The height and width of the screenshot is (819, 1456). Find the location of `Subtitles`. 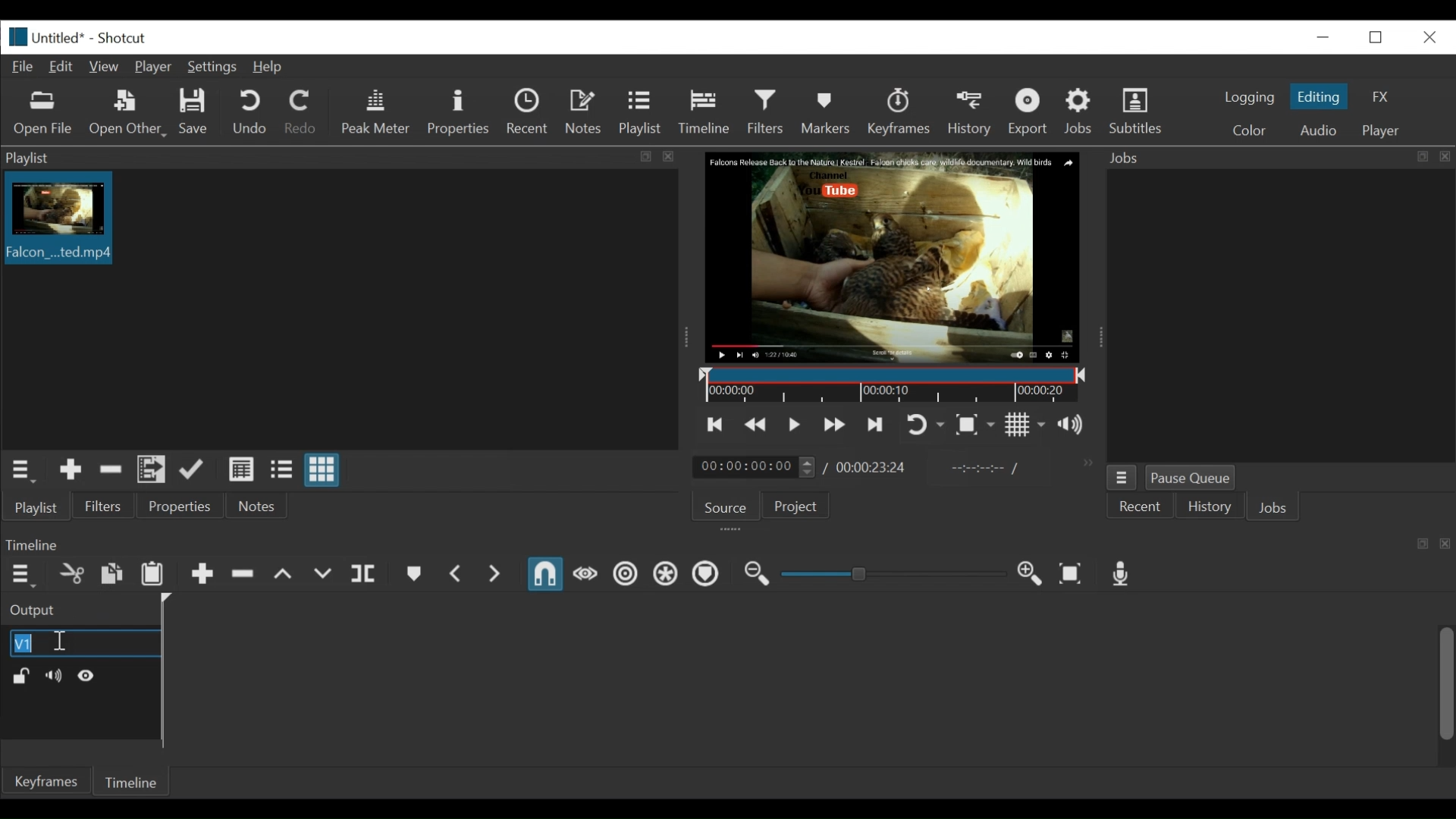

Subtitles is located at coordinates (1138, 111).